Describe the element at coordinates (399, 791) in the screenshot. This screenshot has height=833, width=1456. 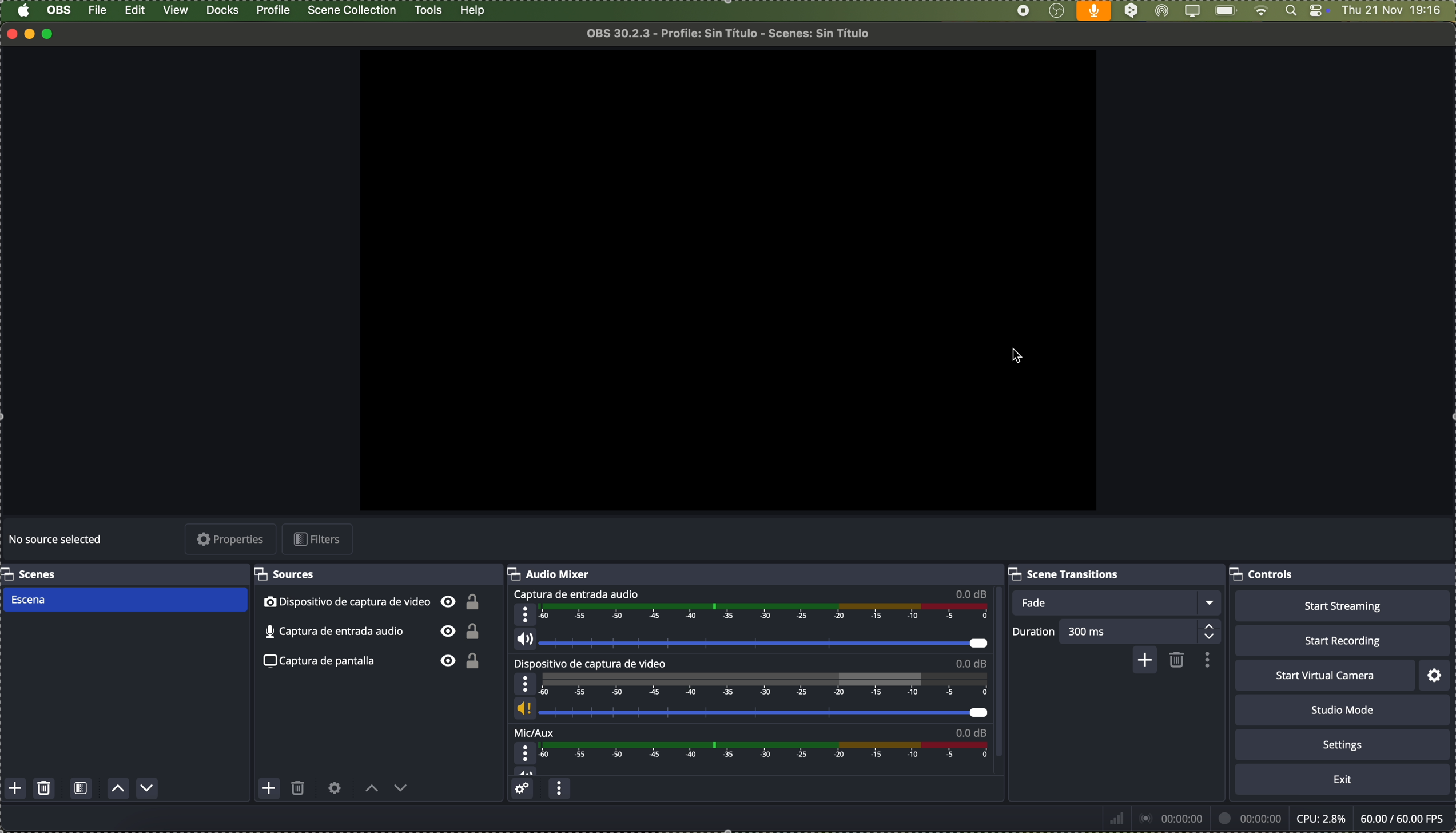
I see `move source down` at that location.